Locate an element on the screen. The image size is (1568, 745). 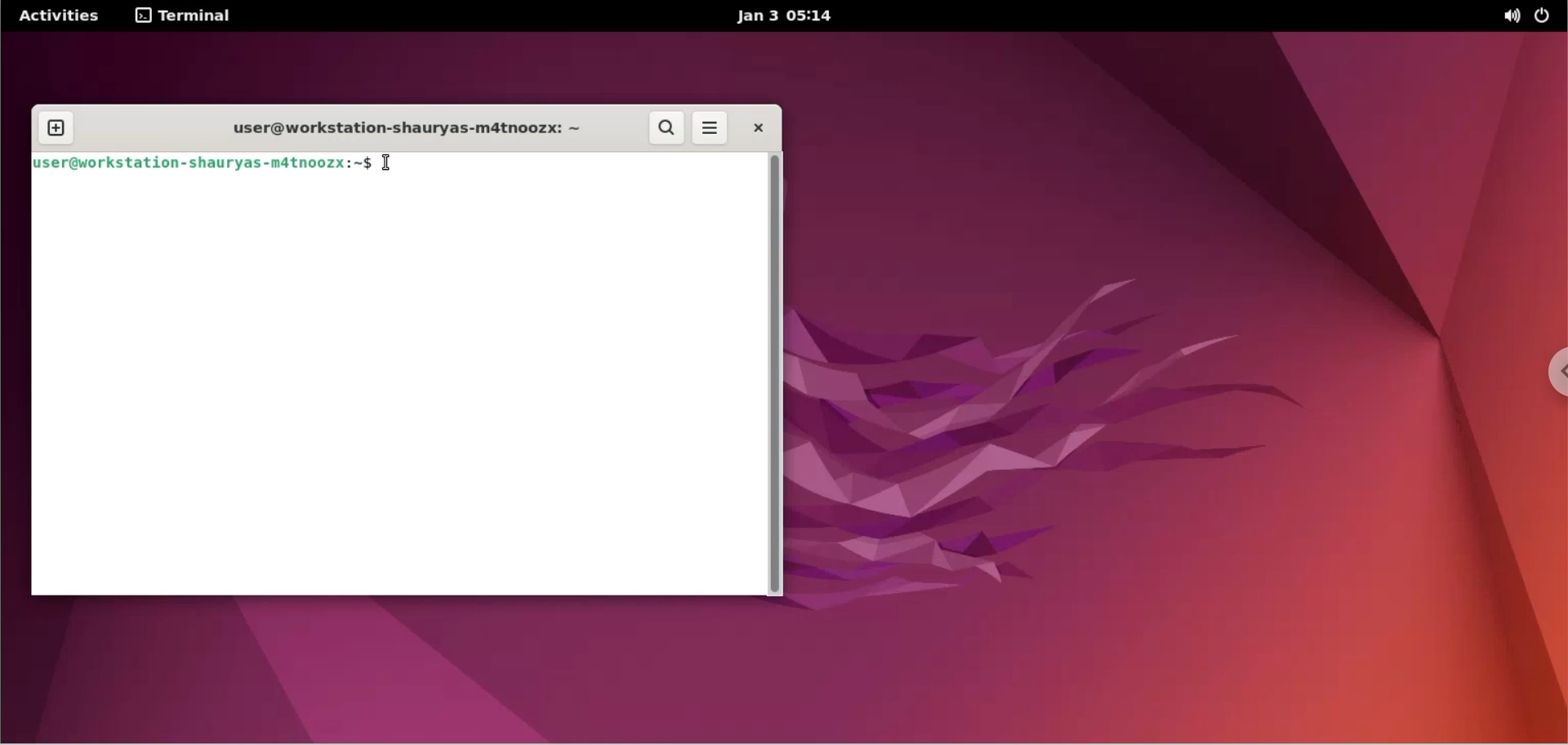
power options is located at coordinates (1546, 16).